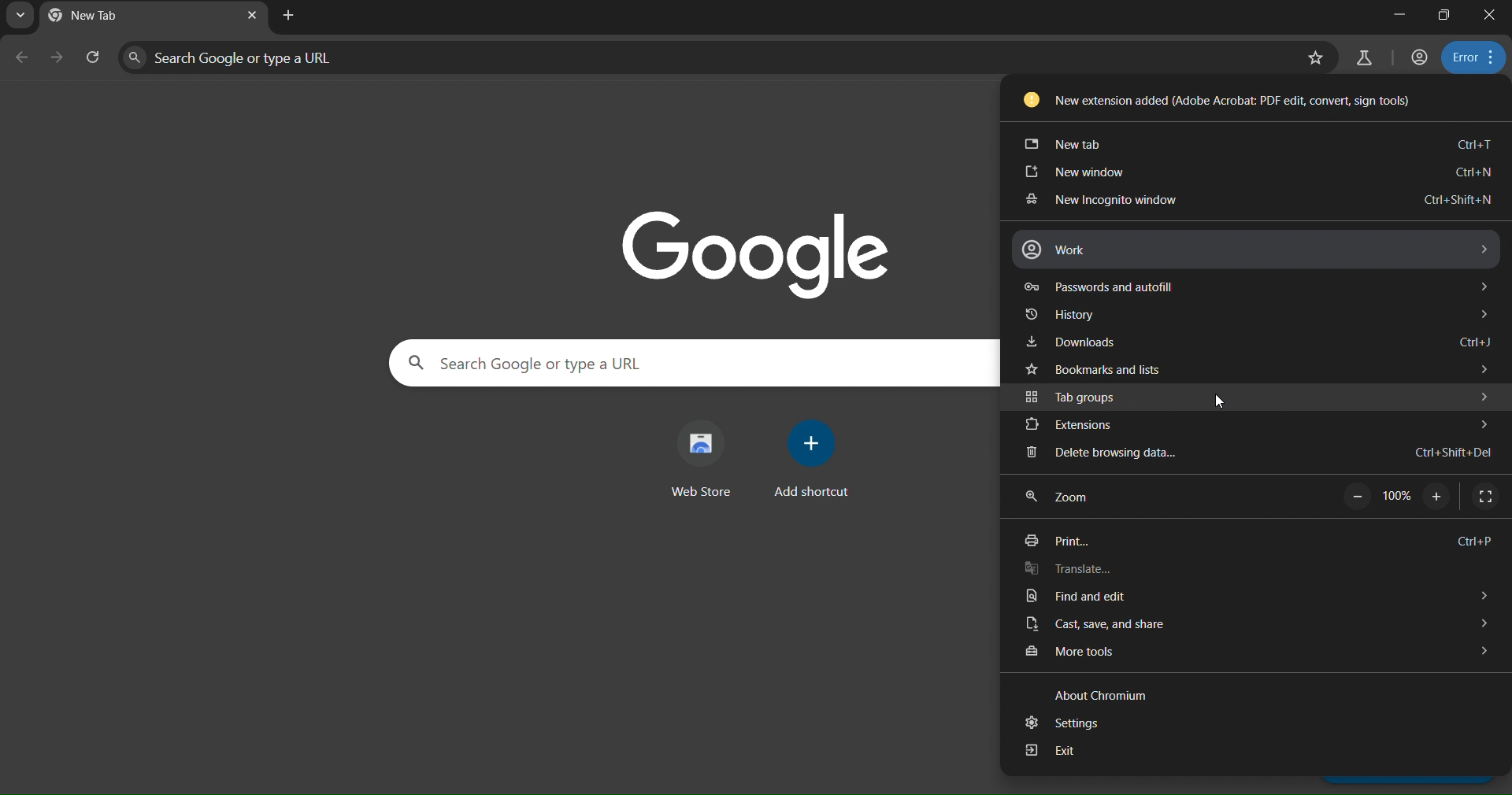  I want to click on settings, so click(1258, 723).